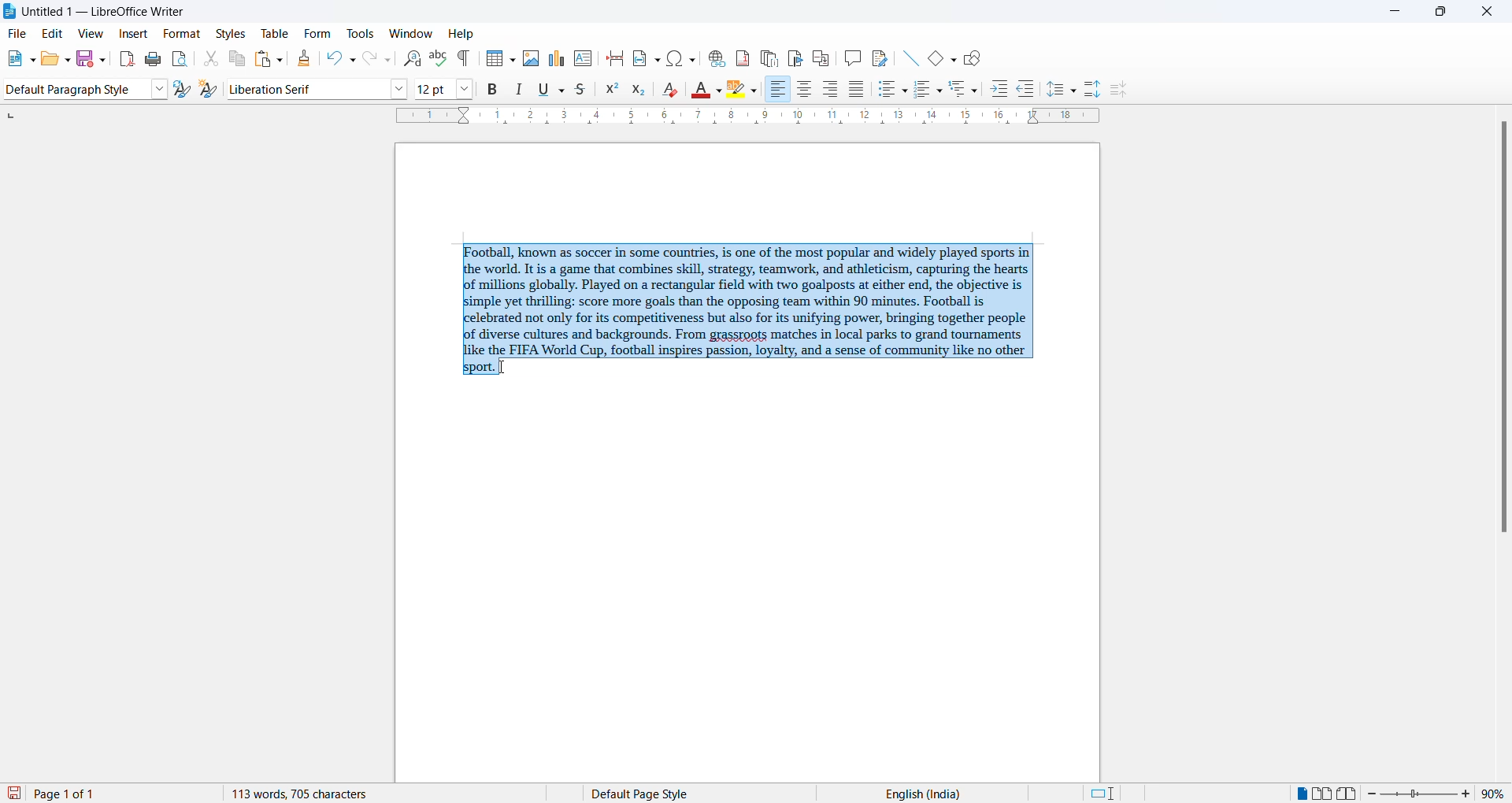  Describe the element at coordinates (1299, 794) in the screenshot. I see `single page view` at that location.